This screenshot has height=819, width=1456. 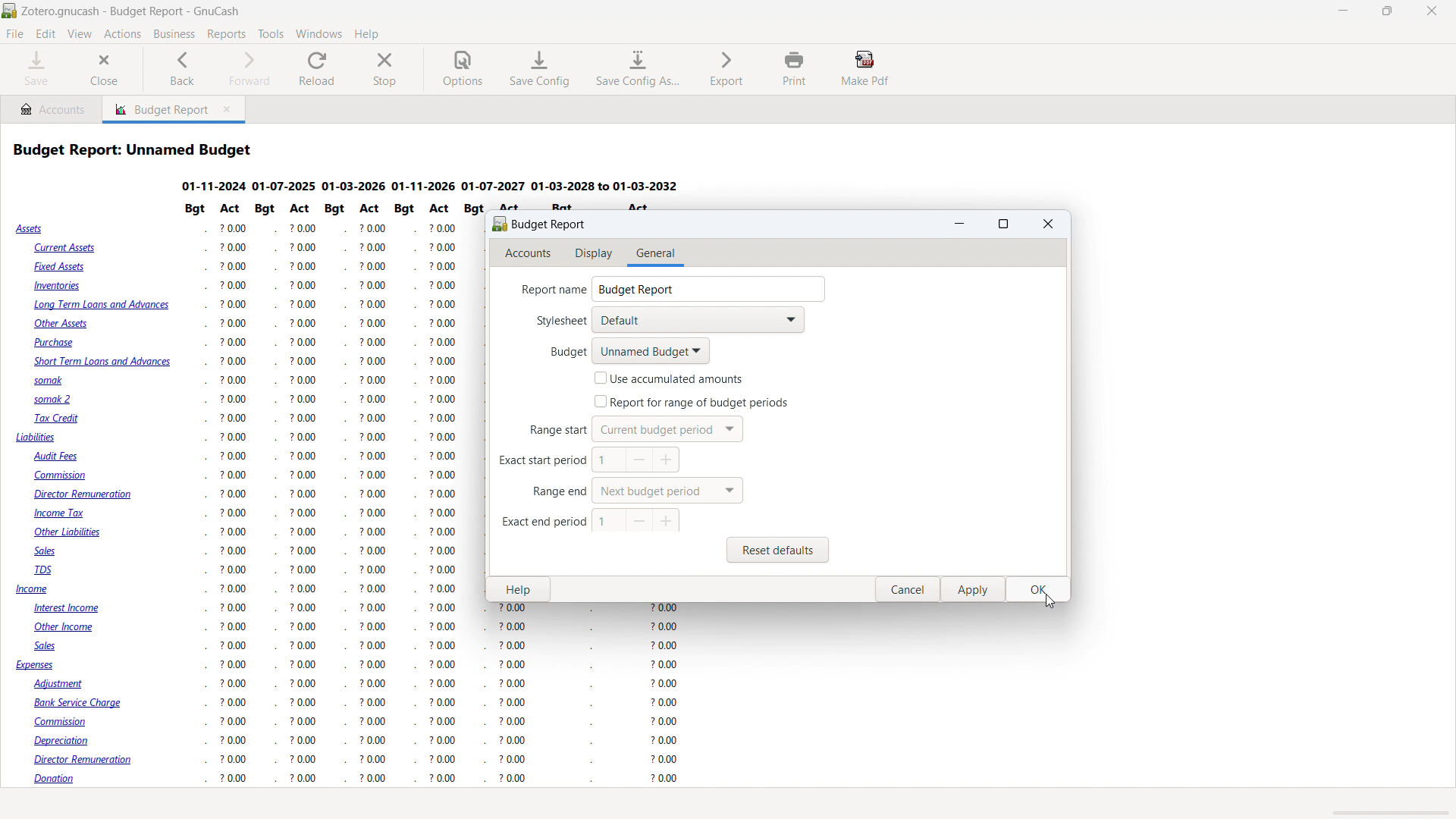 I want to click on reports, so click(x=226, y=34).